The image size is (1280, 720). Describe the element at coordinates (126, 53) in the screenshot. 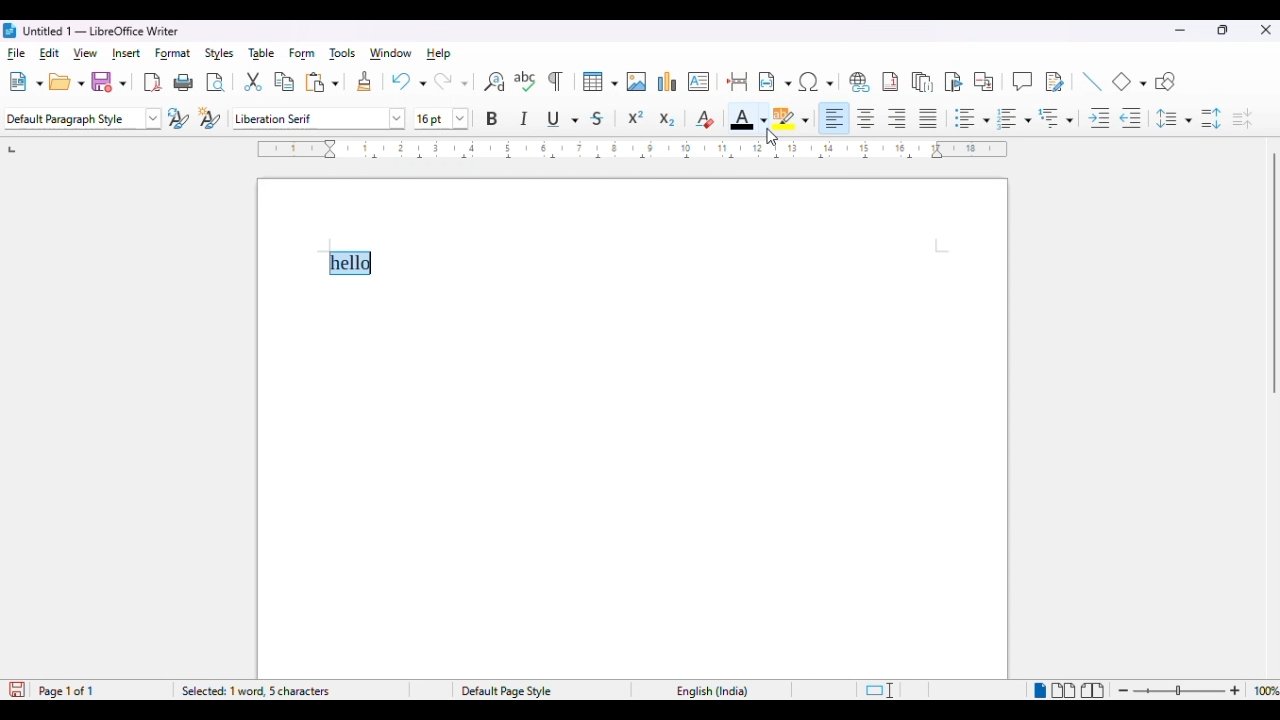

I see `insert` at that location.